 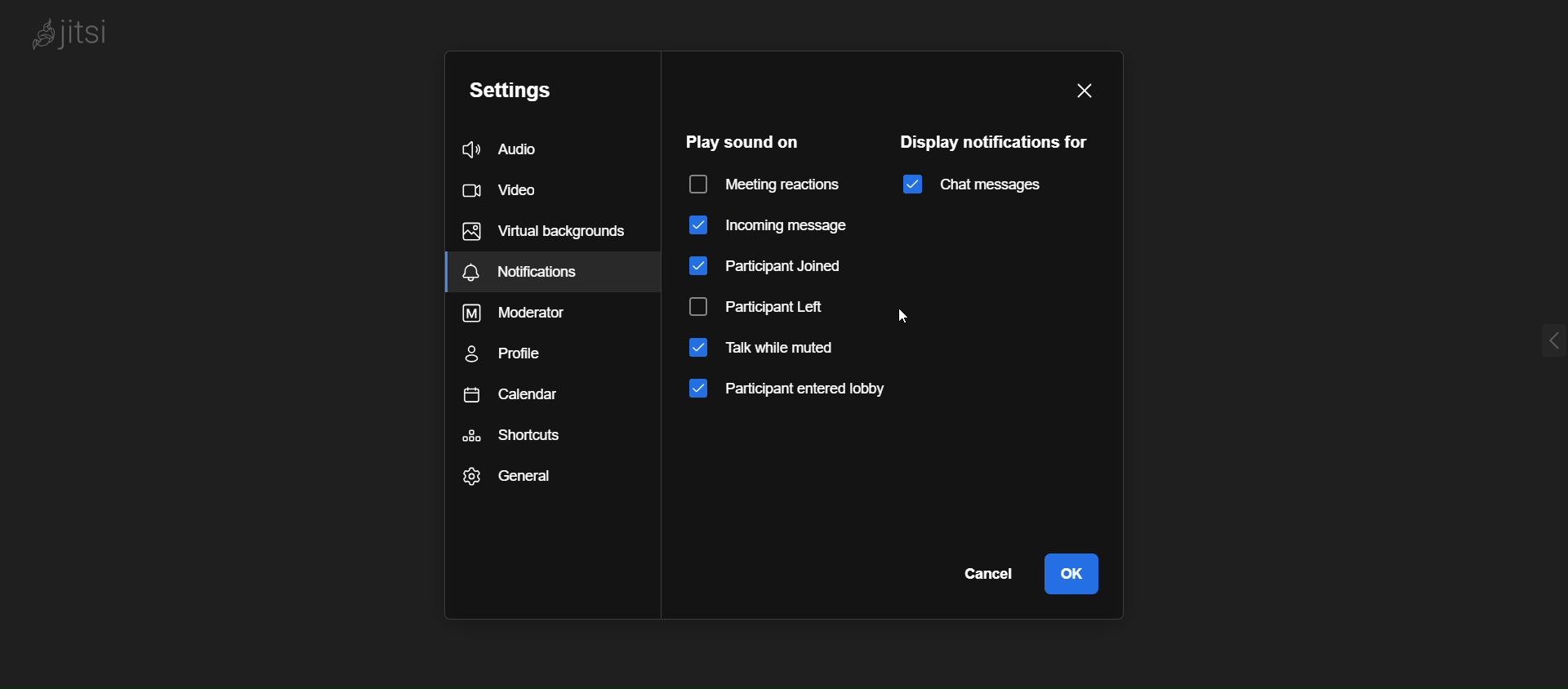 I want to click on cancel, so click(x=992, y=576).